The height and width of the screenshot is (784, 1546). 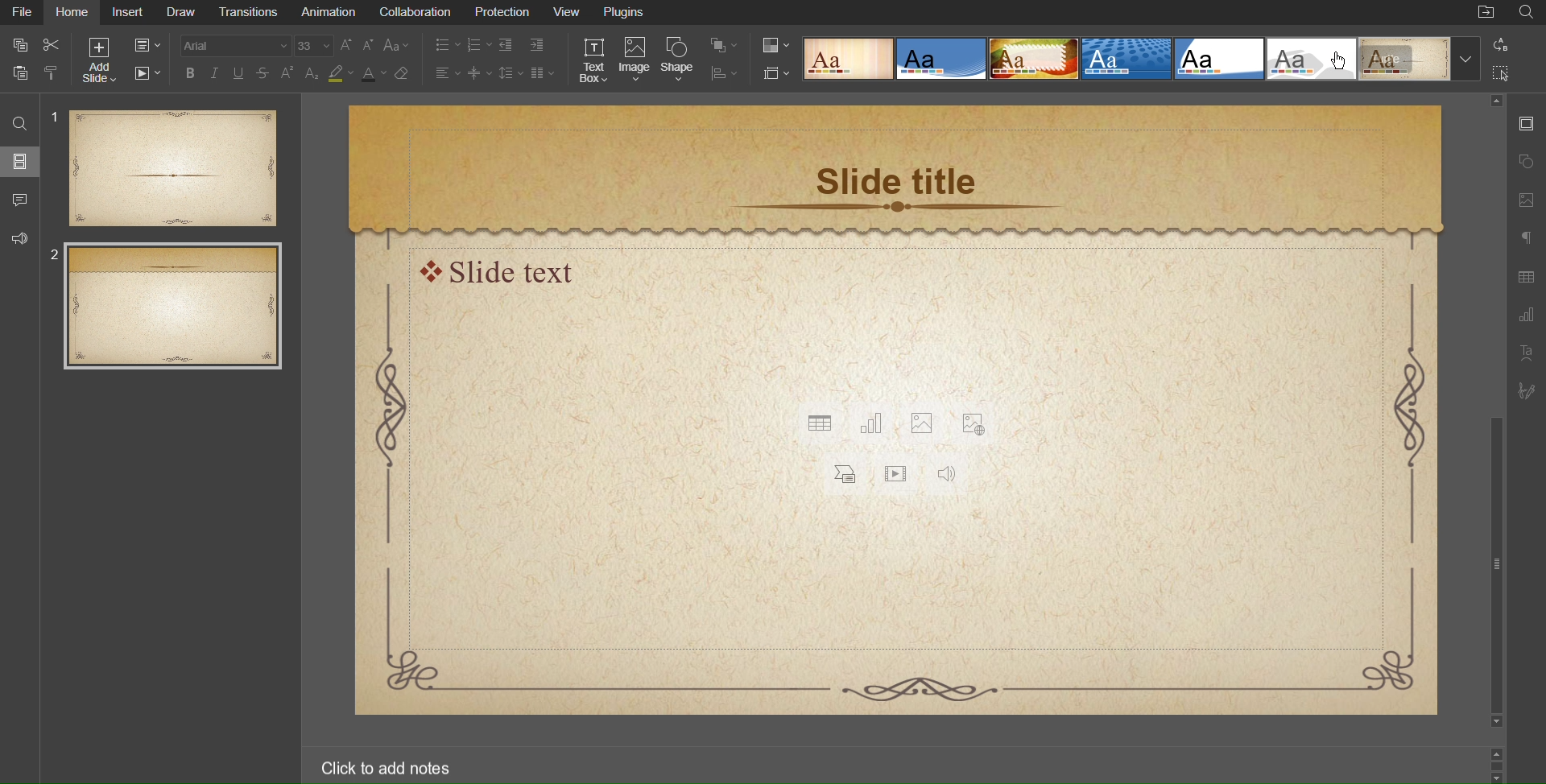 I want to click on Templates, so click(x=1140, y=59).